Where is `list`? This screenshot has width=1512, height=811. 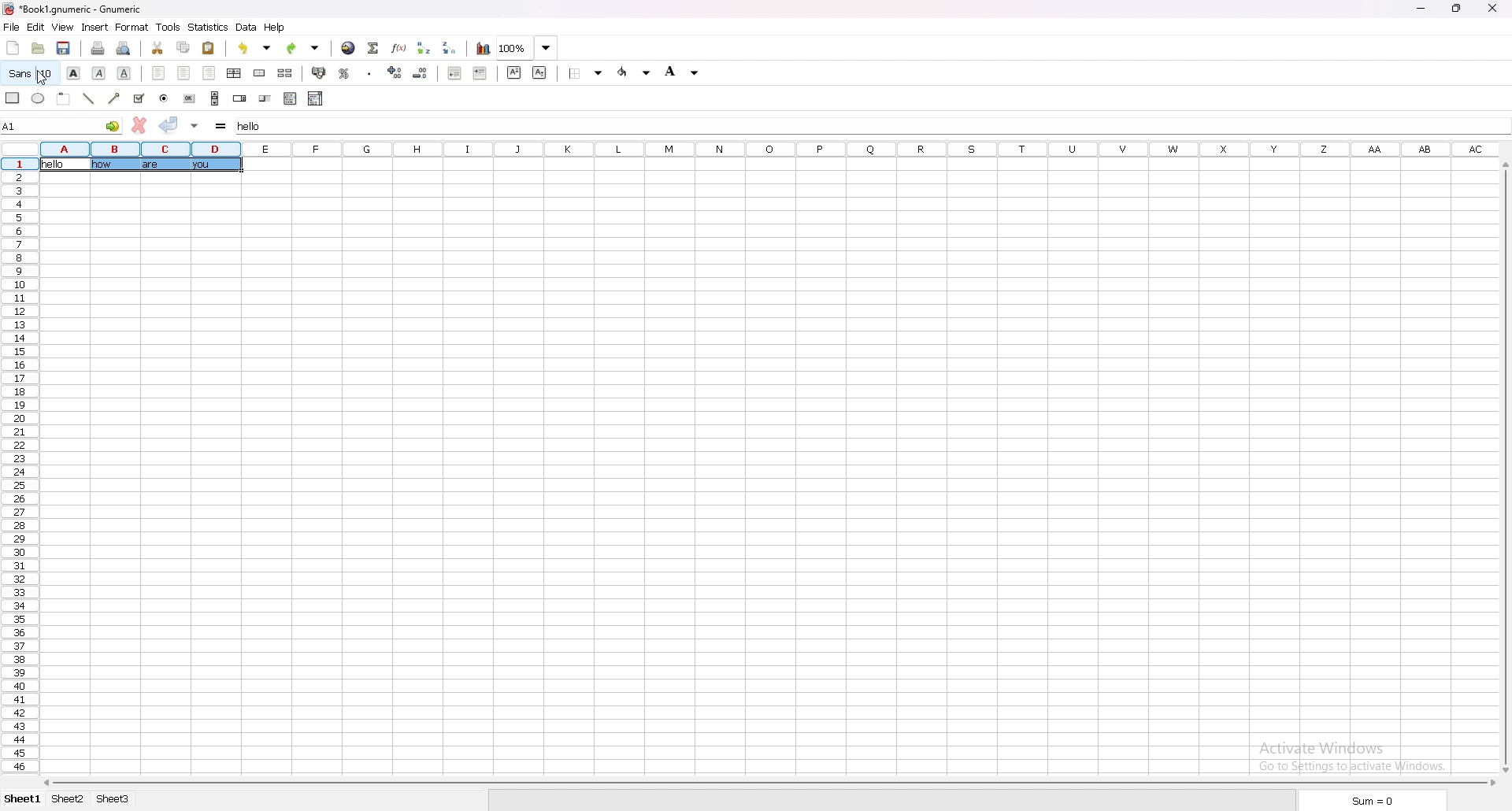
list is located at coordinates (290, 99).